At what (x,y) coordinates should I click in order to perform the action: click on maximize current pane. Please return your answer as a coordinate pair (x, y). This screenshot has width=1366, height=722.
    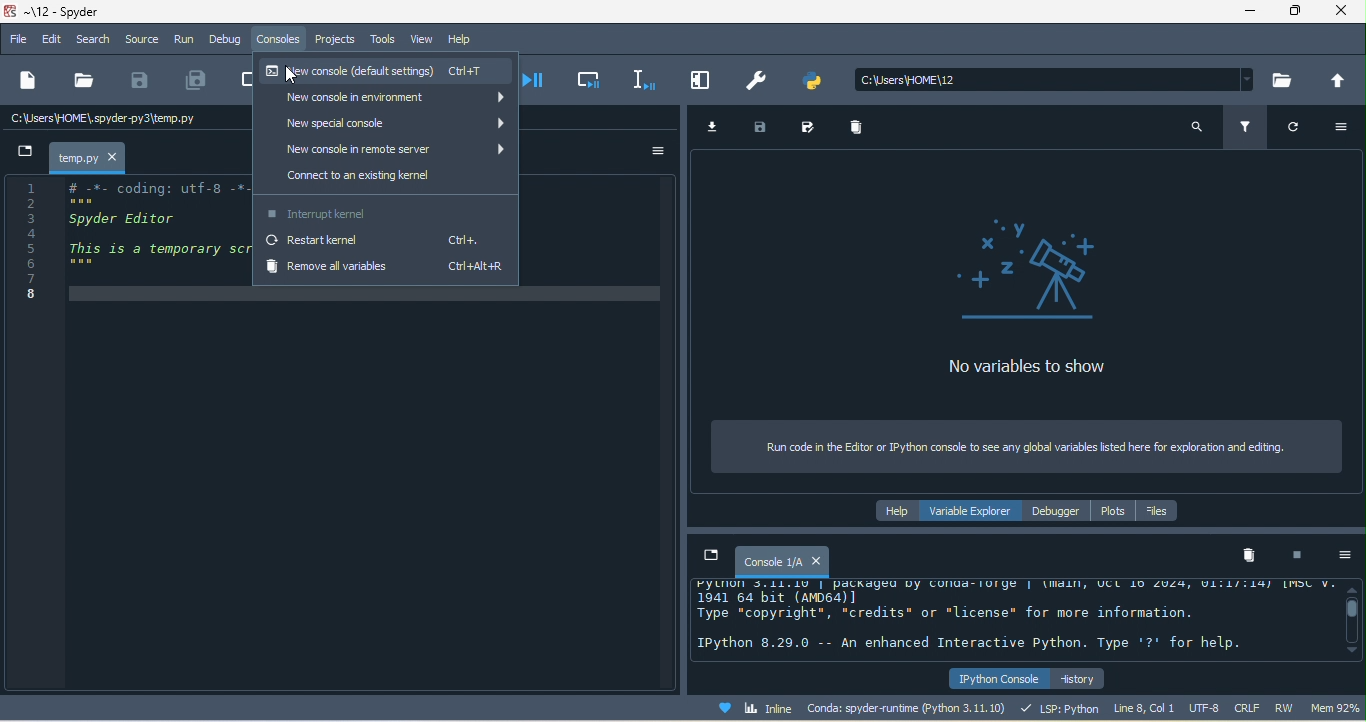
    Looking at the image, I should click on (706, 81).